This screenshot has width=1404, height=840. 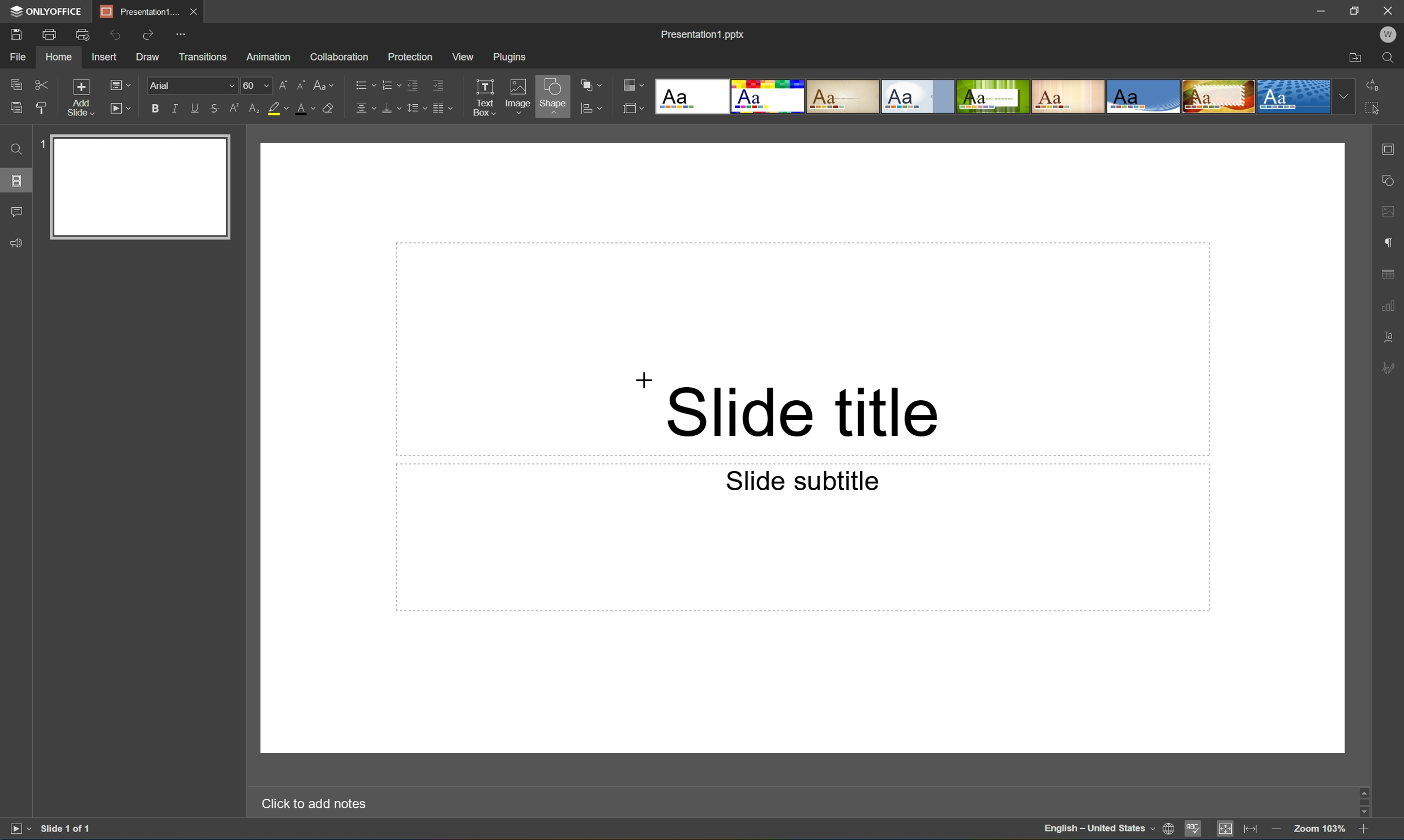 What do you see at coordinates (389, 107) in the screenshot?
I see `Vertically align` at bounding box center [389, 107].